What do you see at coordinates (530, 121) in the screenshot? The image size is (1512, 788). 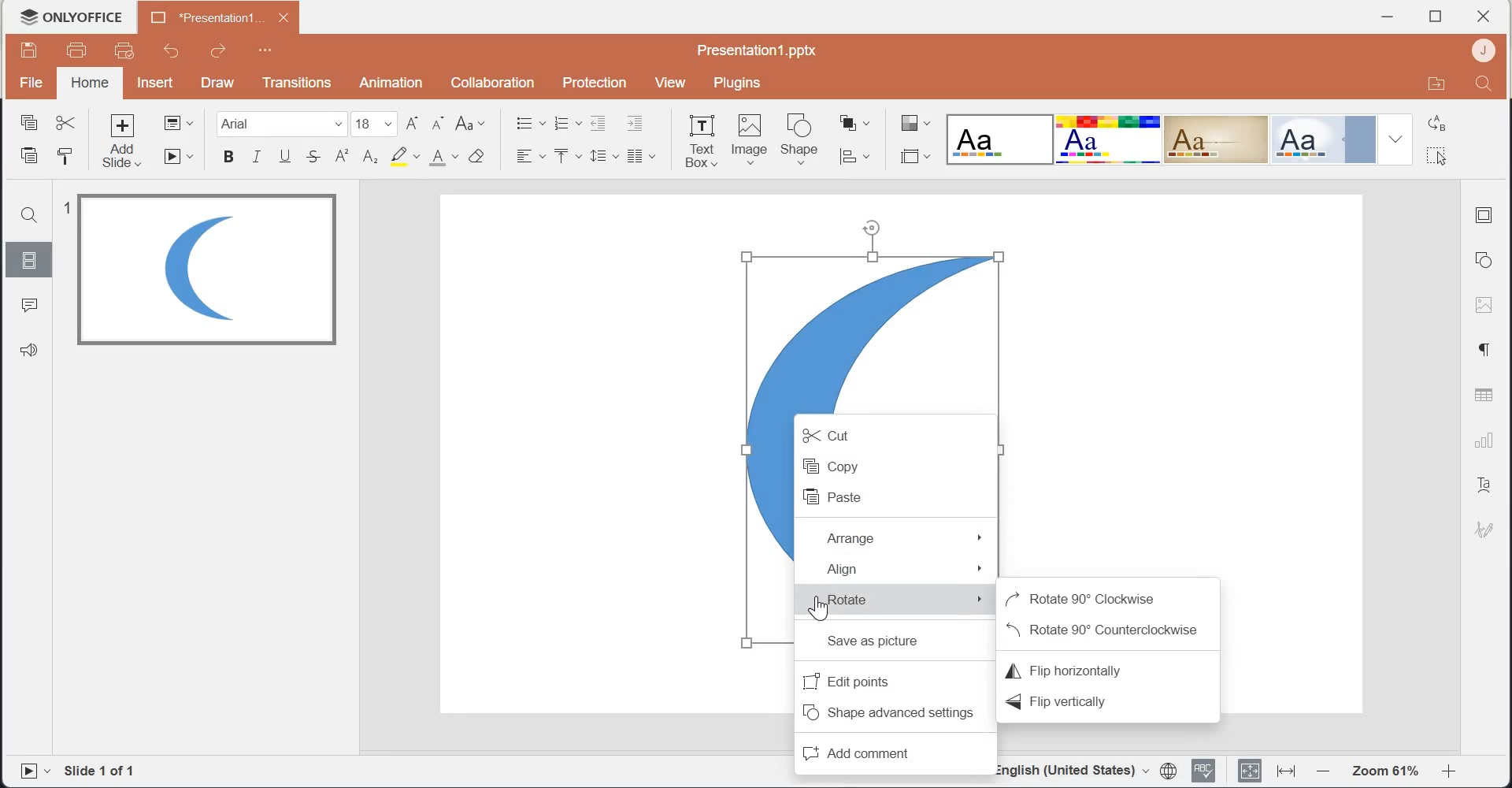 I see `Bullets` at bounding box center [530, 121].